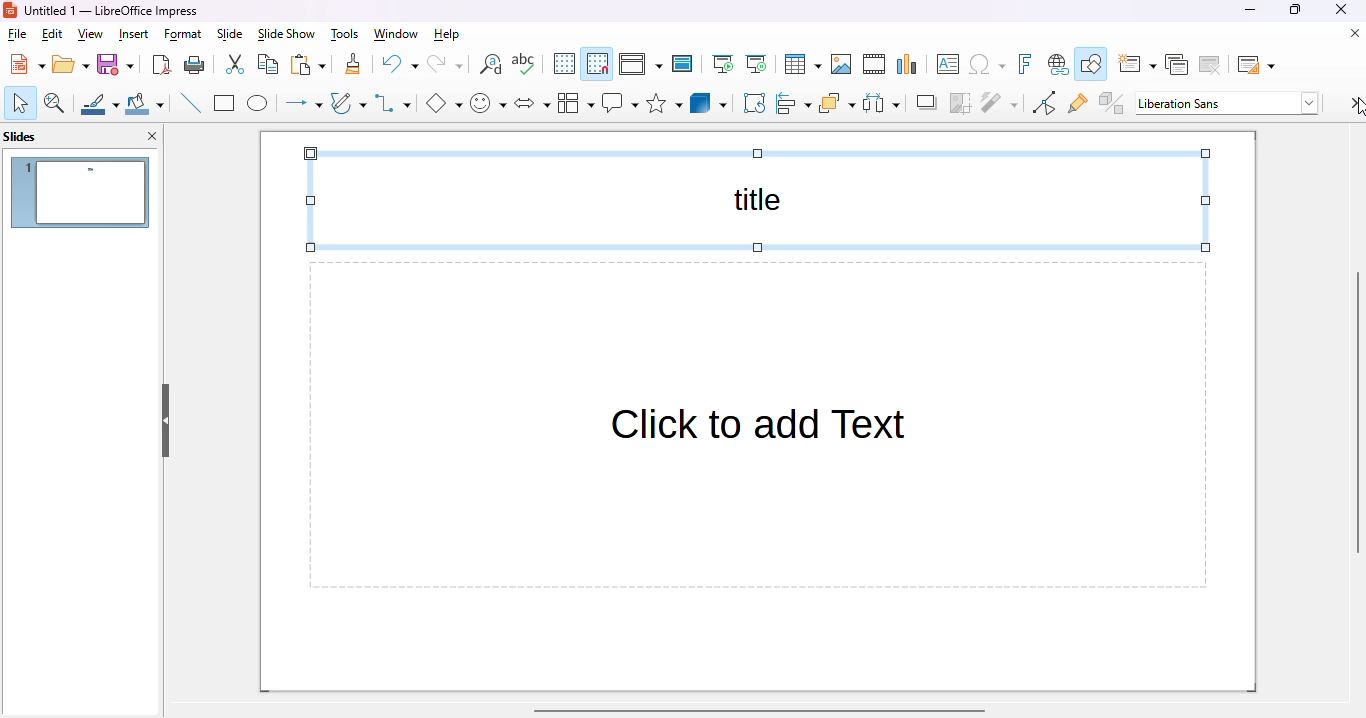 The height and width of the screenshot is (718, 1366). What do you see at coordinates (396, 34) in the screenshot?
I see `window` at bounding box center [396, 34].